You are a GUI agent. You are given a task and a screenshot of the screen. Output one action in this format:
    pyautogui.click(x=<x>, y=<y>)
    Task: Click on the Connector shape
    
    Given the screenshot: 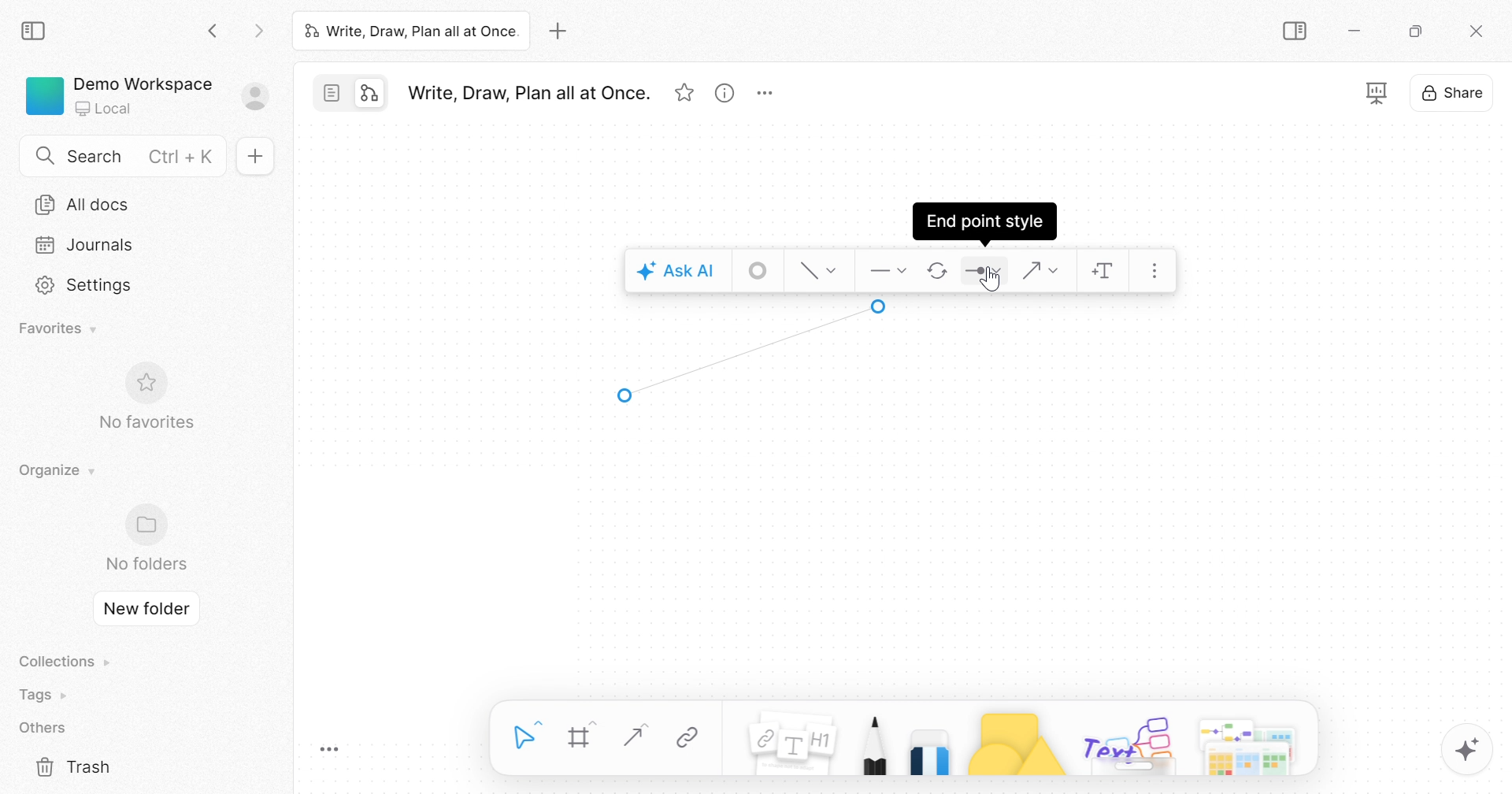 What is the action you would take?
    pyautogui.click(x=1042, y=269)
    